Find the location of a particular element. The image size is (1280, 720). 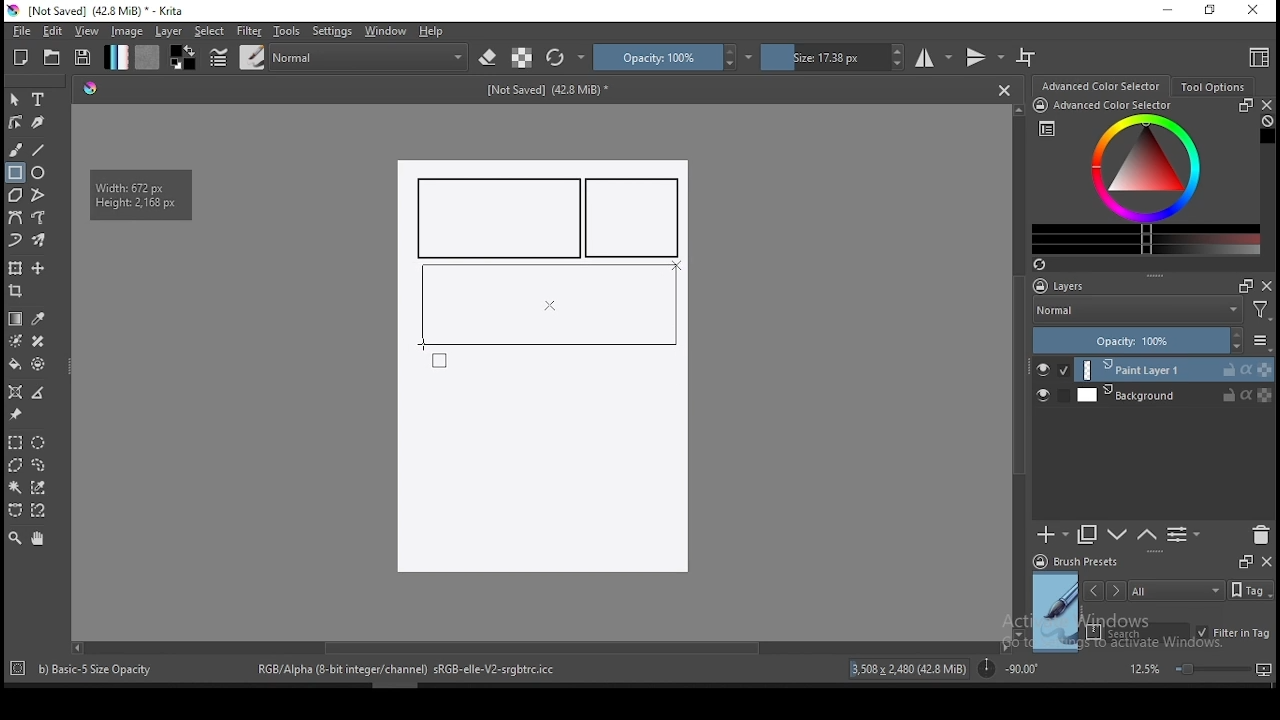

similar color selection tool is located at coordinates (41, 487).